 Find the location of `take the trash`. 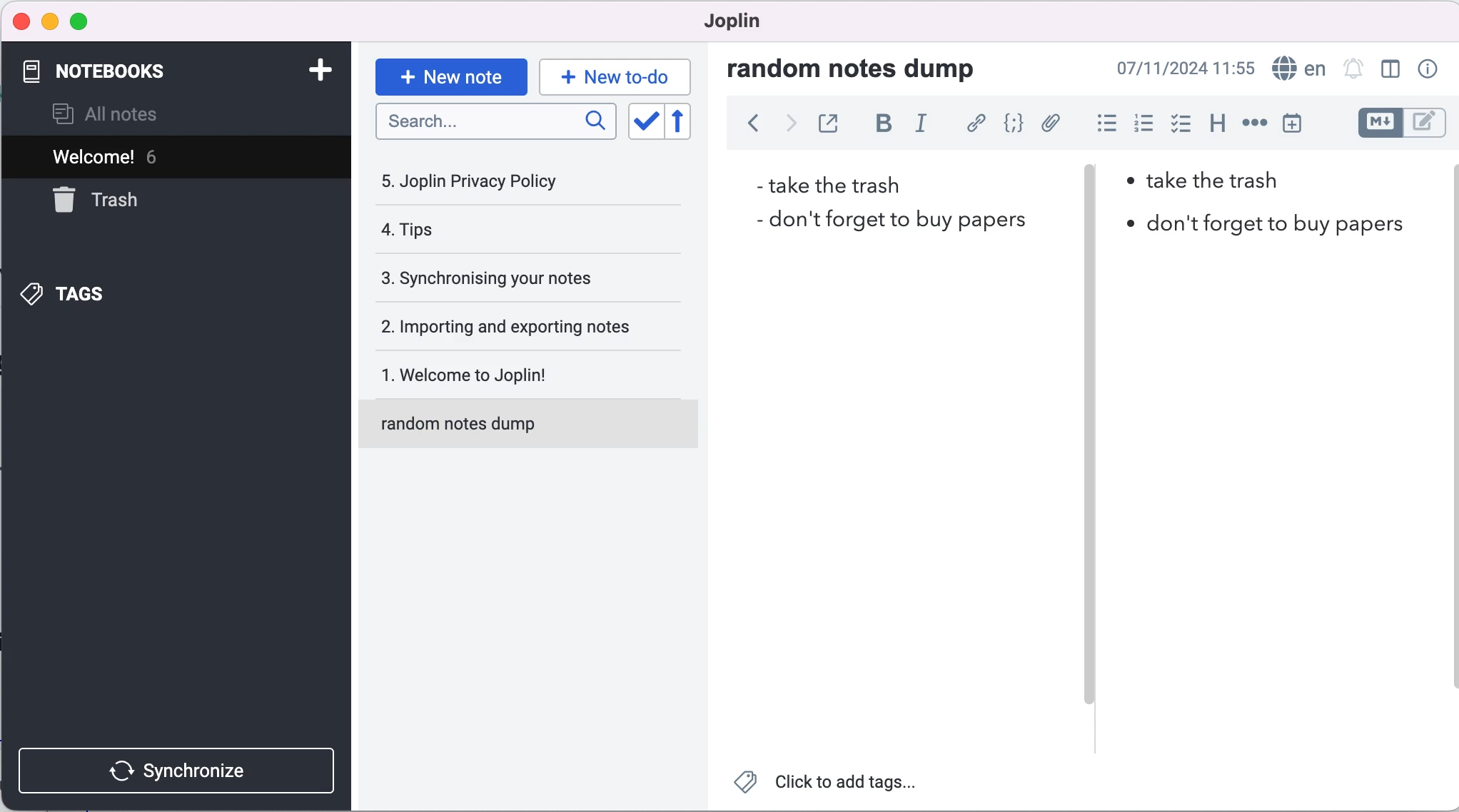

take the trash is located at coordinates (1223, 186).